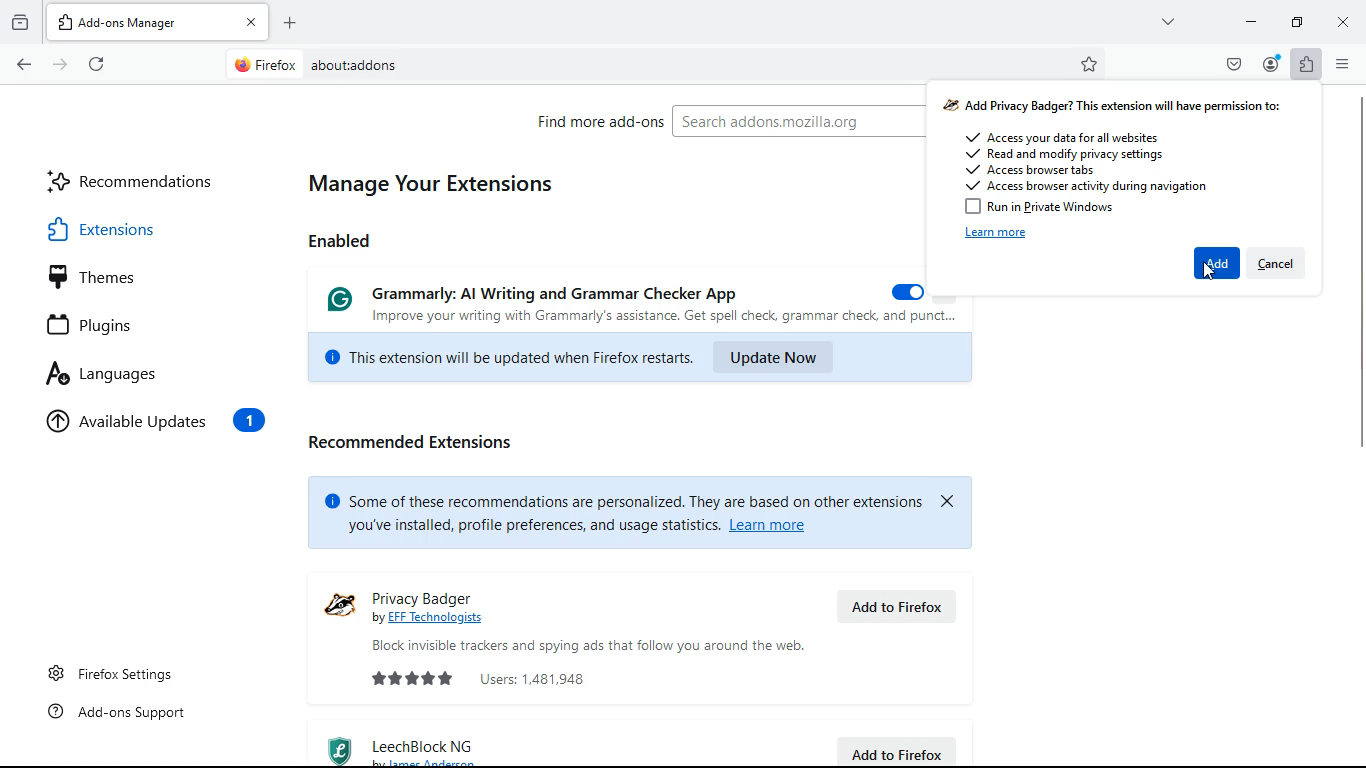  I want to click on close, so click(950, 500).